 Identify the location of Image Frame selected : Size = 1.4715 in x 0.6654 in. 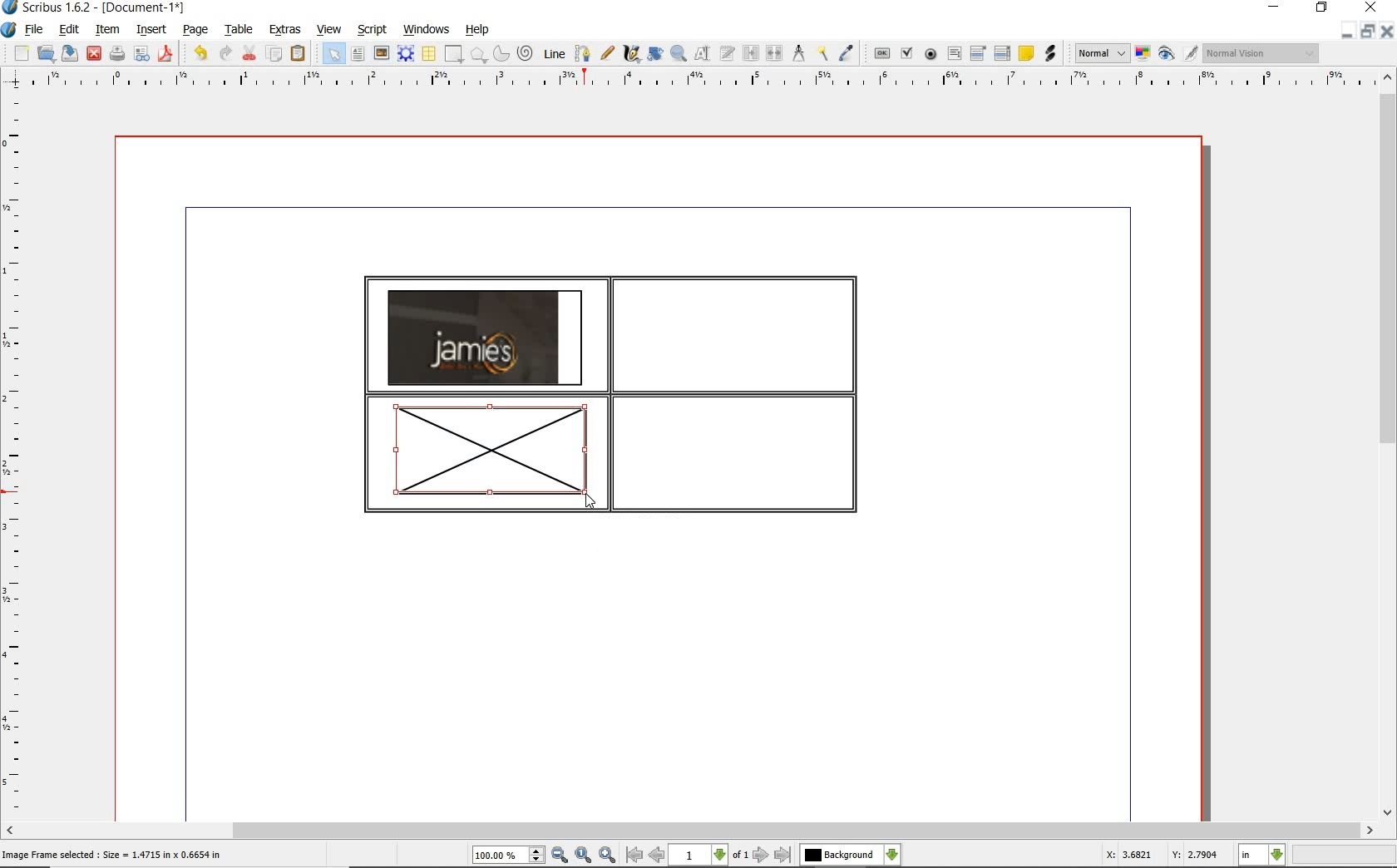
(114, 855).